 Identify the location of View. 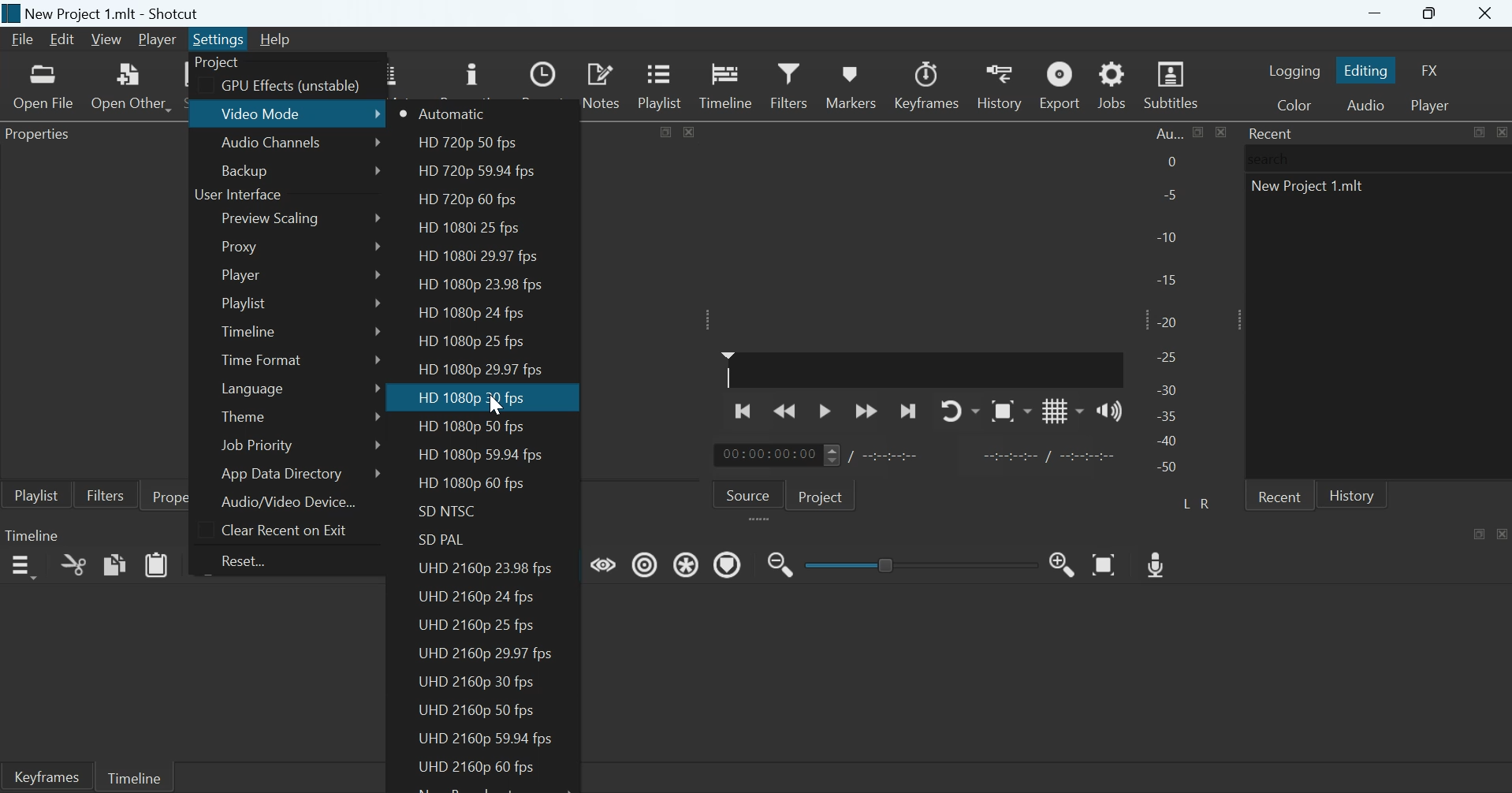
(105, 40).